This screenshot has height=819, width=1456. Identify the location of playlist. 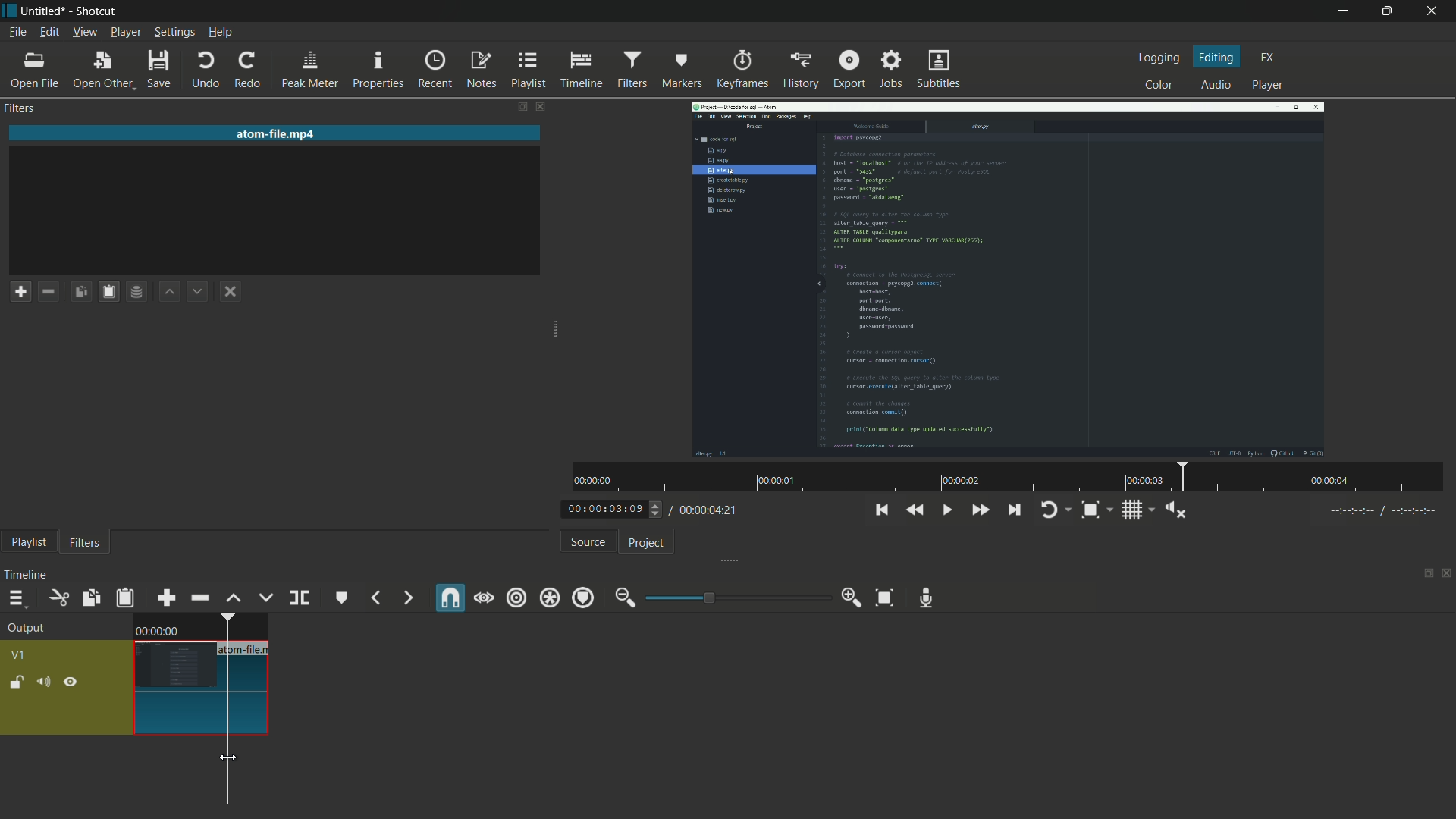
(529, 71).